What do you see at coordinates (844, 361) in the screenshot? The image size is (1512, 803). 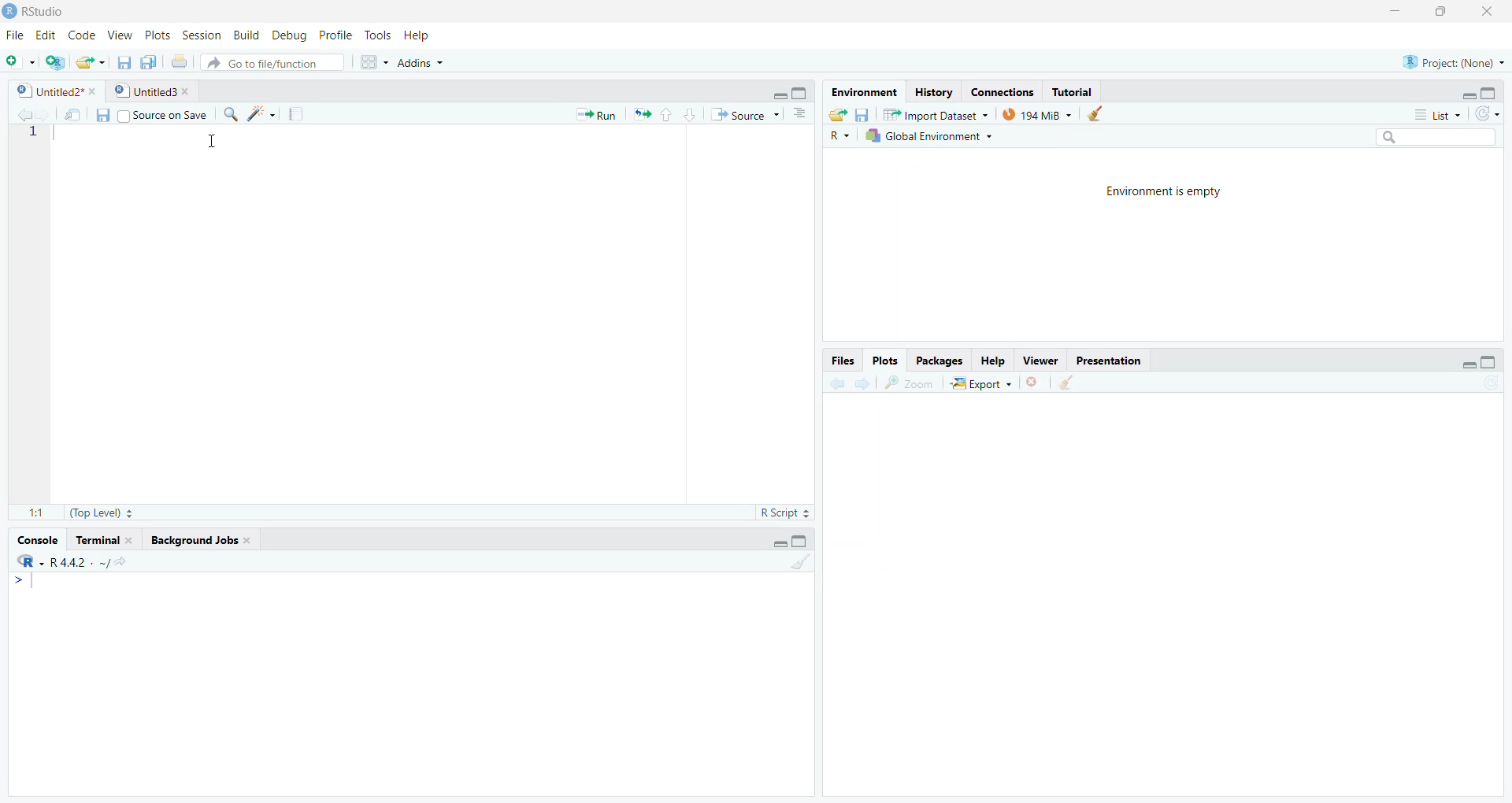 I see `Files` at bounding box center [844, 361].